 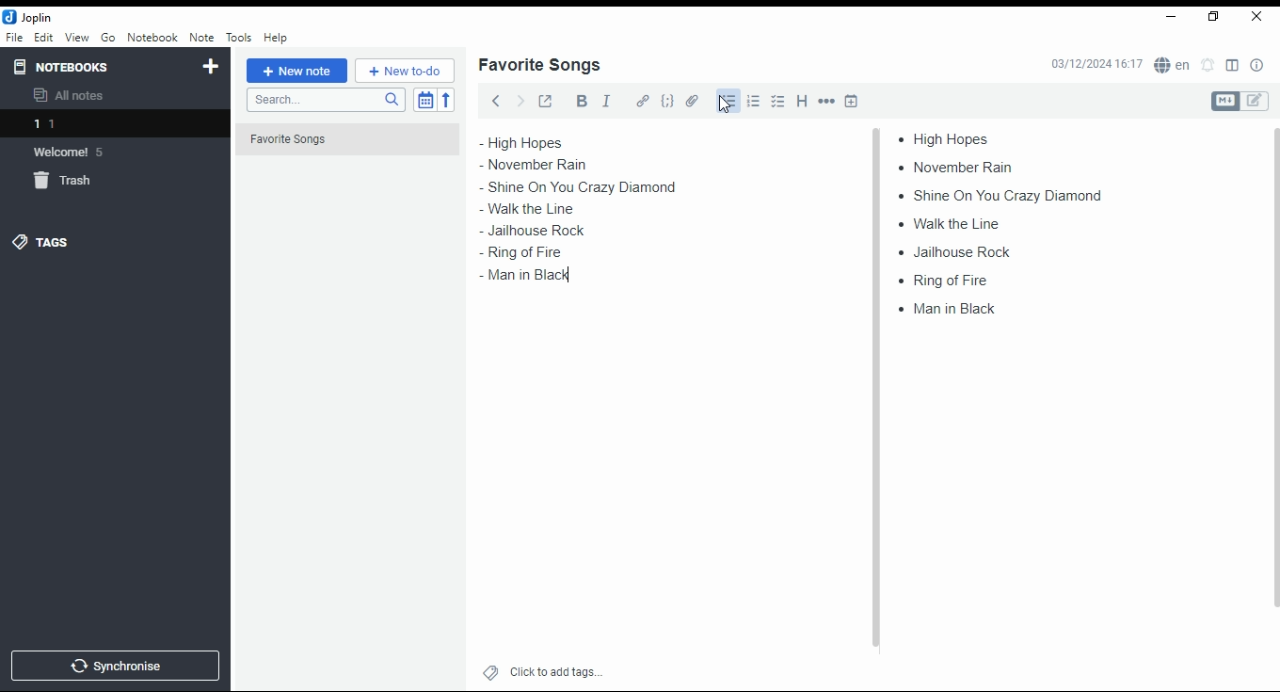 I want to click on file, so click(x=14, y=36).